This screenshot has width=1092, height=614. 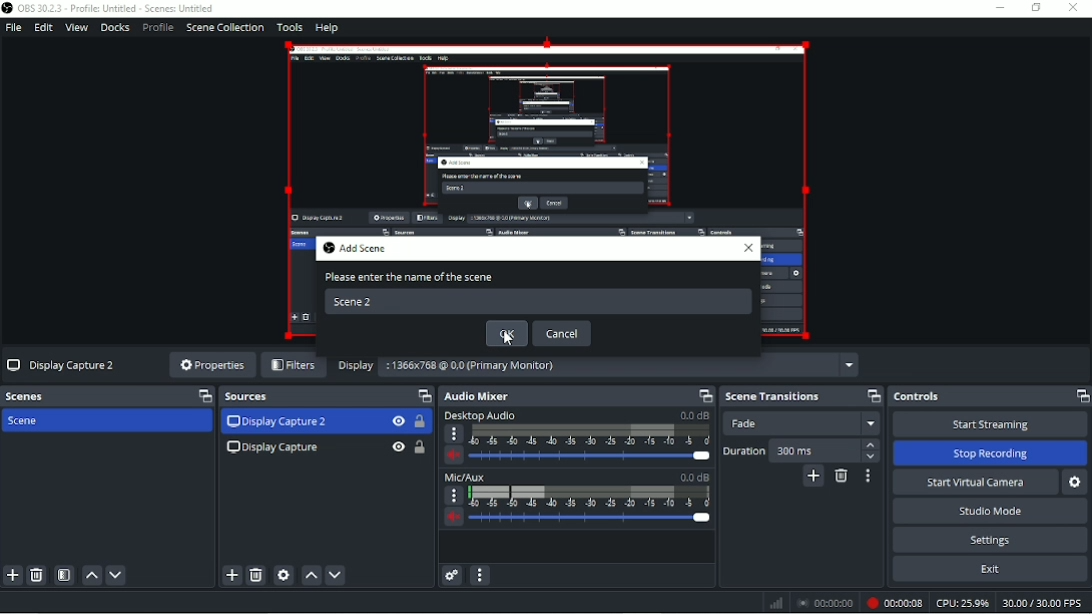 I want to click on Add scene, so click(x=11, y=576).